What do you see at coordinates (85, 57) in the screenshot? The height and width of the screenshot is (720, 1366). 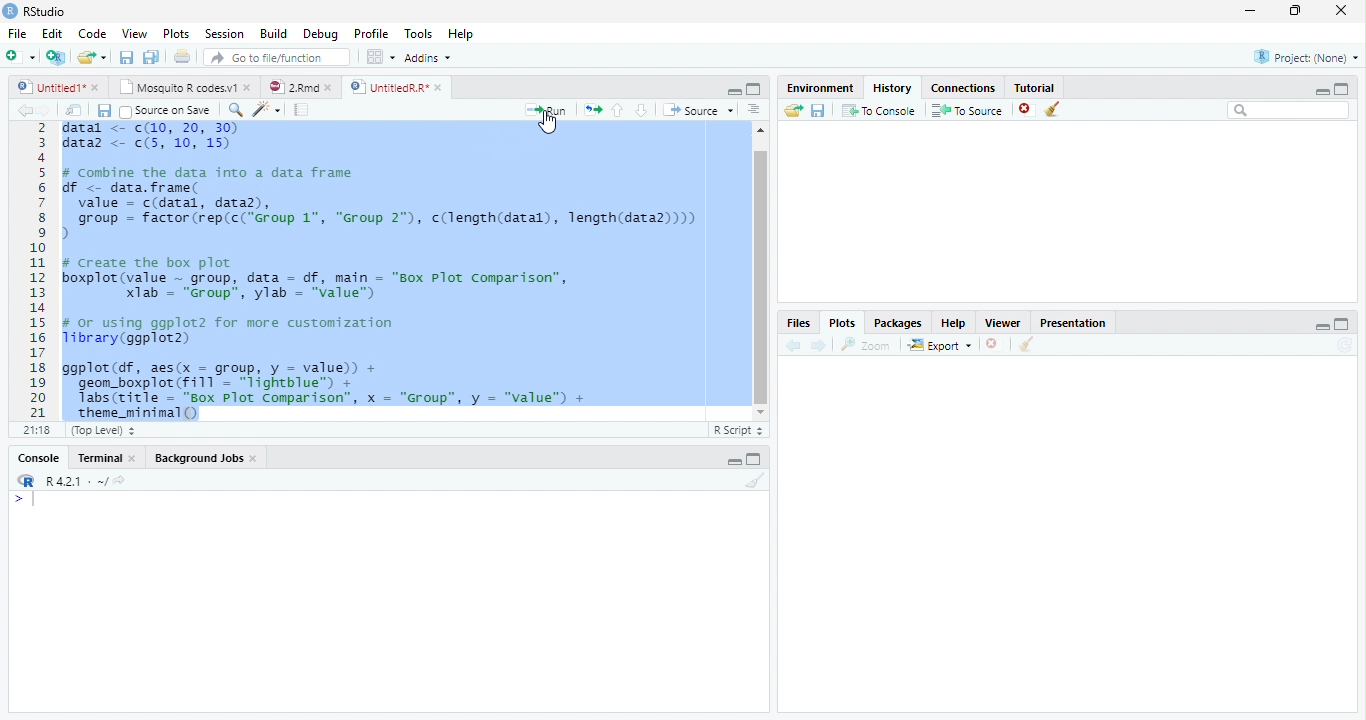 I see `Open an existing file` at bounding box center [85, 57].